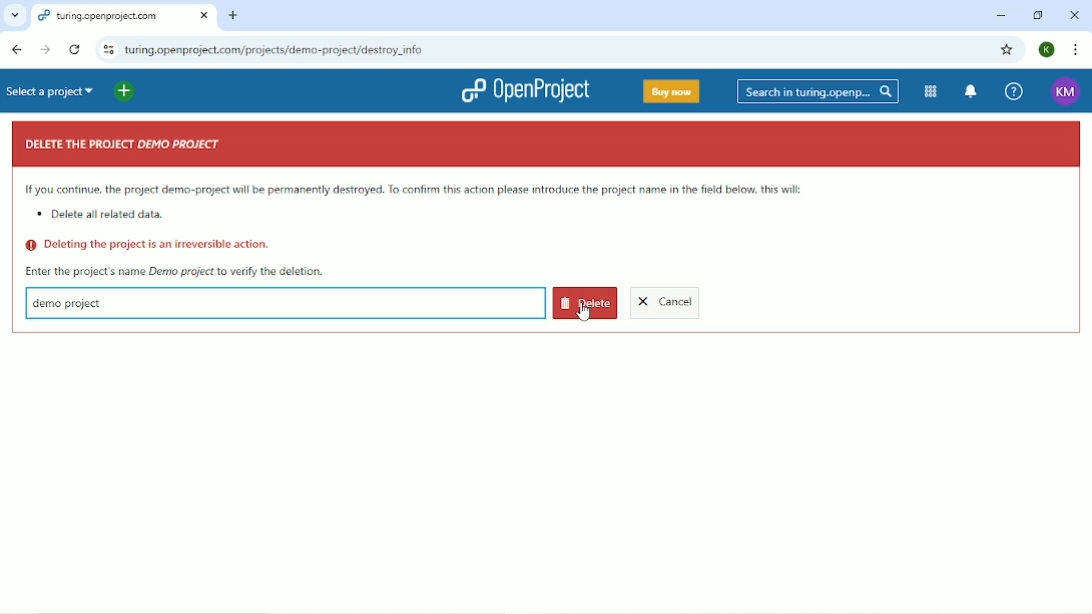 The image size is (1092, 614). Describe the element at coordinates (583, 310) in the screenshot. I see `Cursor` at that location.